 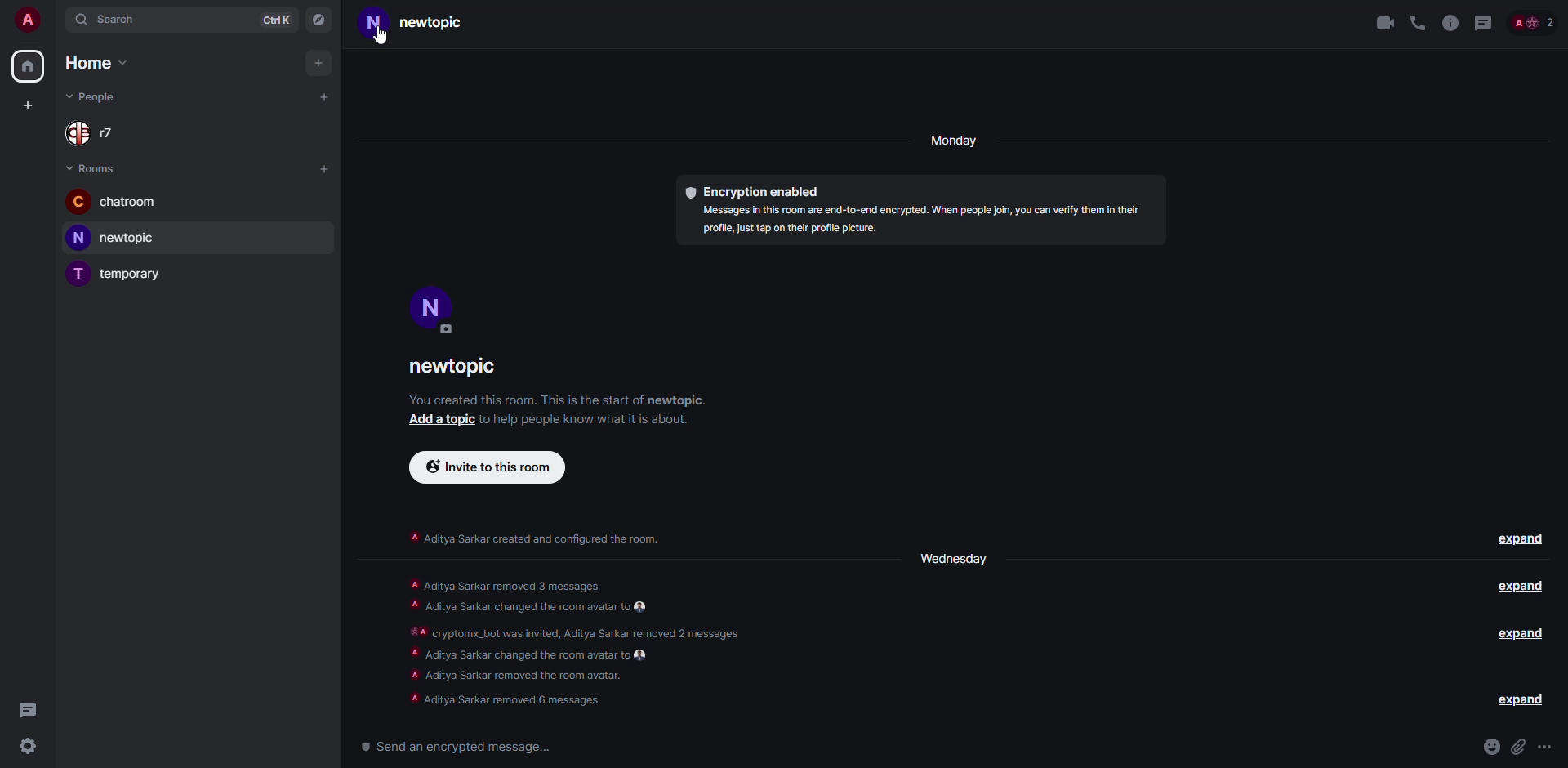 I want to click on expand, so click(x=1519, y=700).